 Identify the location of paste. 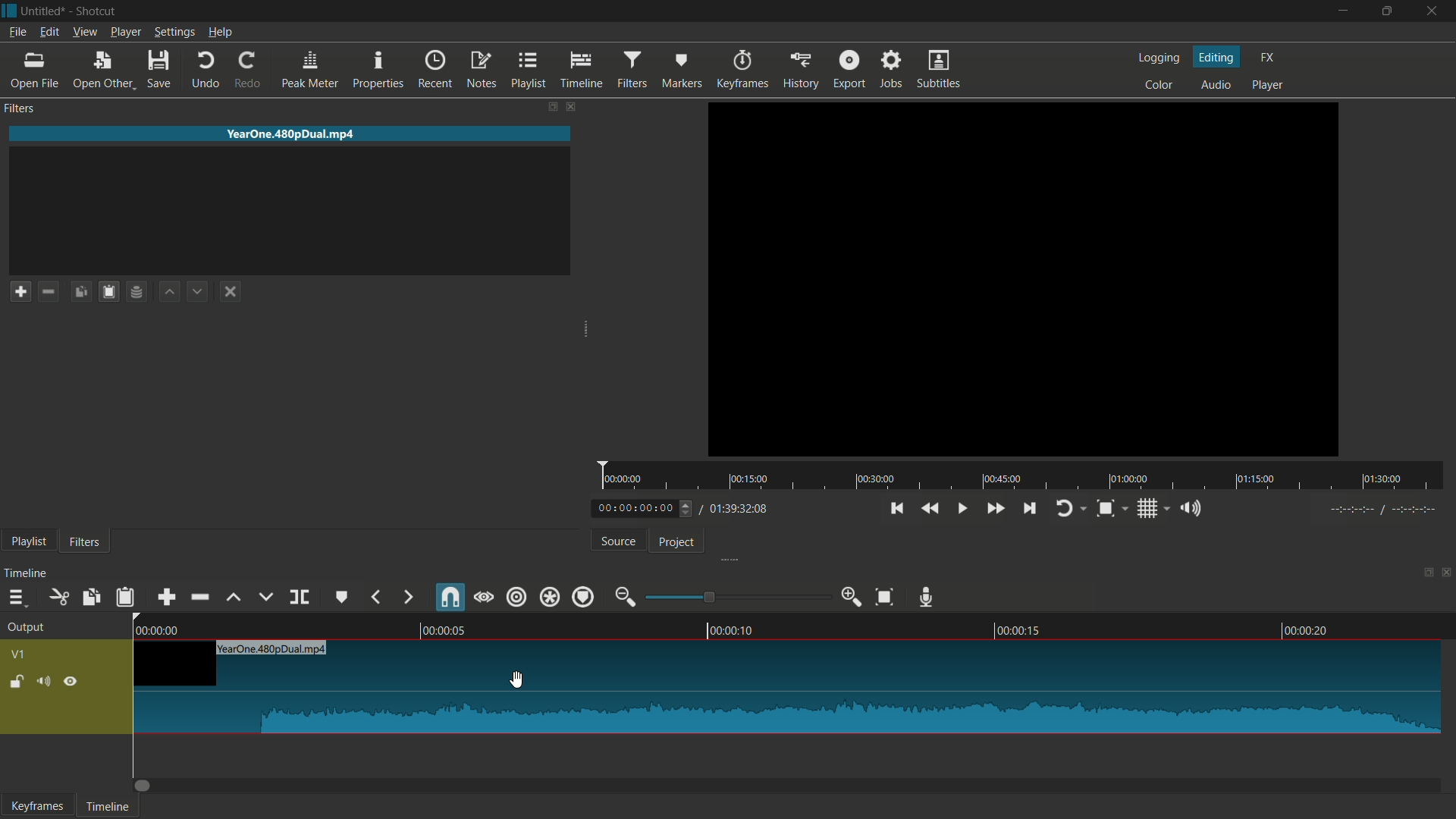
(125, 598).